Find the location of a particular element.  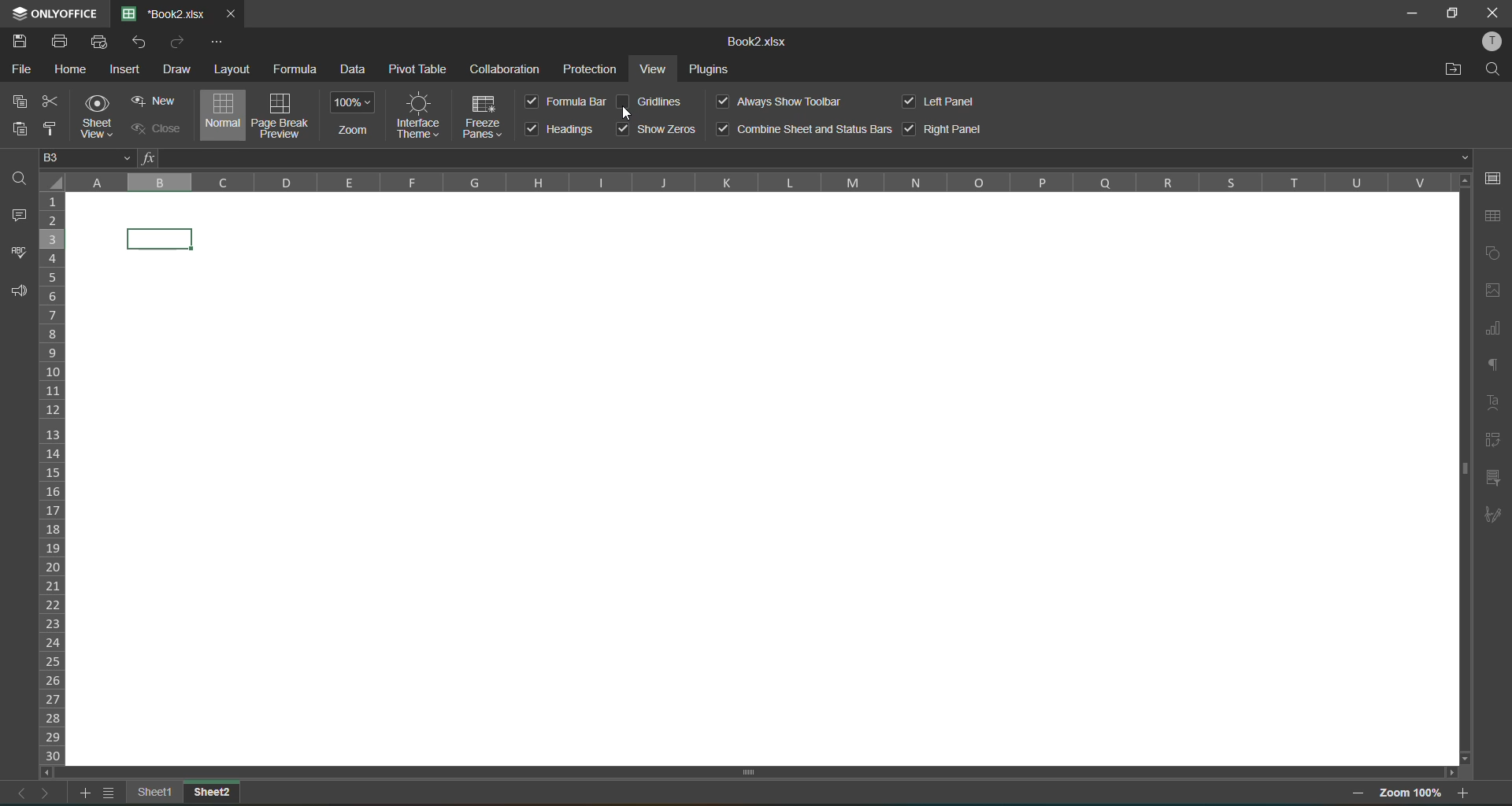

file is located at coordinates (25, 71).